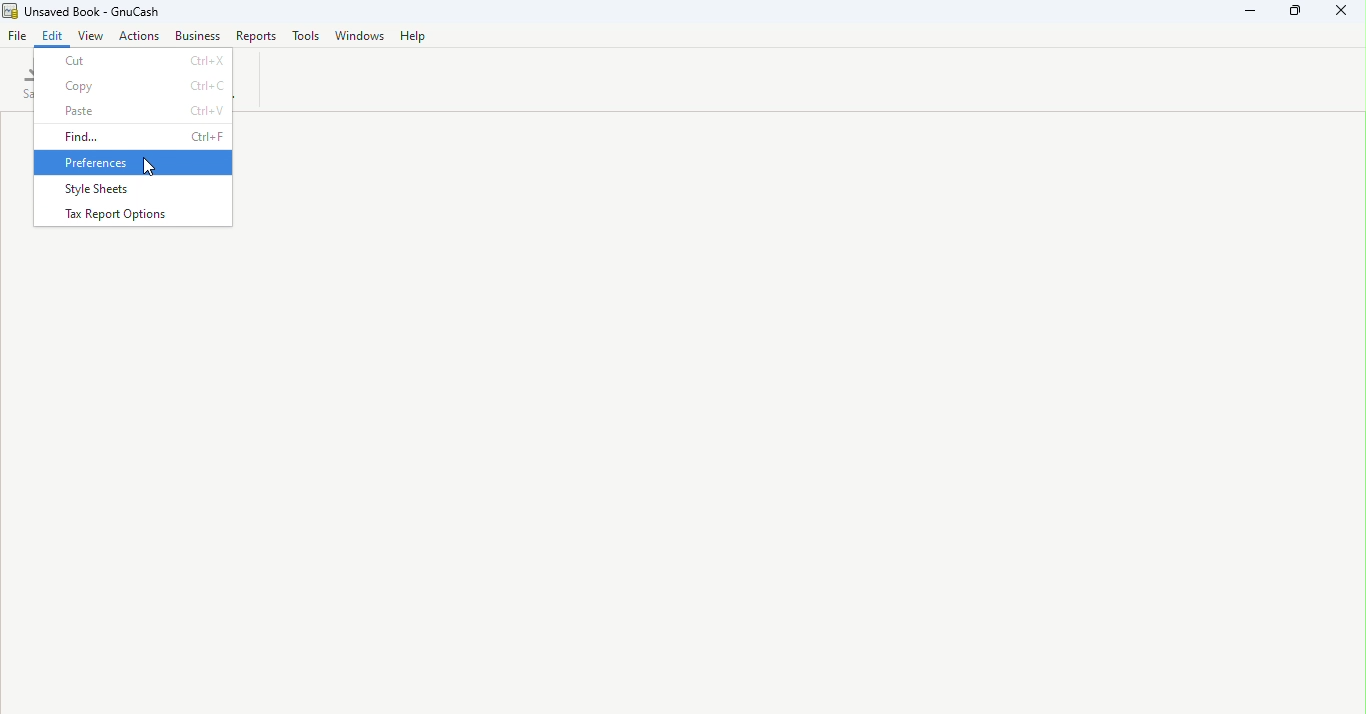  I want to click on Close, so click(1346, 16).